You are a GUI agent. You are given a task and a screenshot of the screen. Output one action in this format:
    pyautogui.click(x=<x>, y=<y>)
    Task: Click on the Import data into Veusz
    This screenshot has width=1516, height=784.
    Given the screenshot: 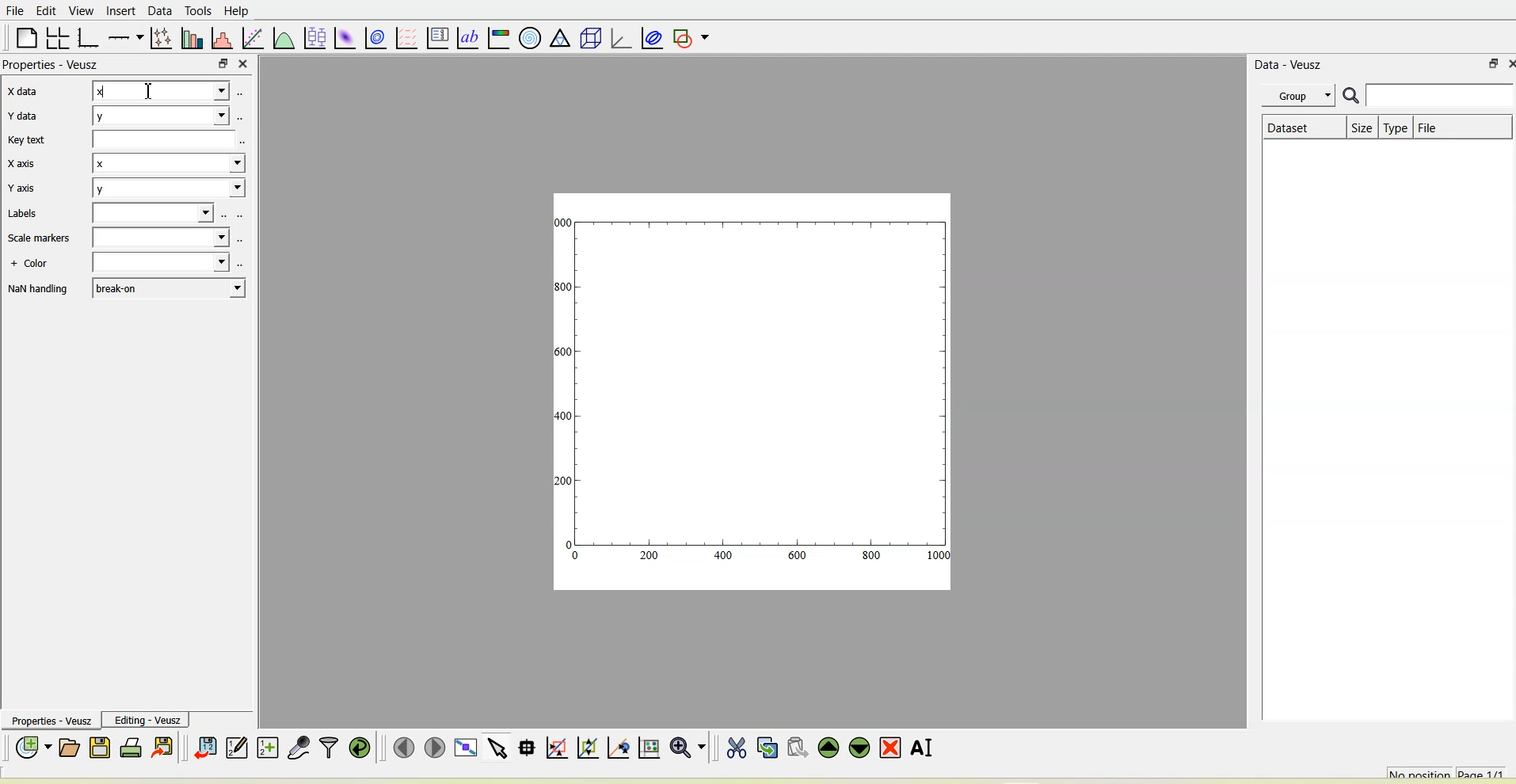 What is the action you would take?
    pyautogui.click(x=205, y=748)
    